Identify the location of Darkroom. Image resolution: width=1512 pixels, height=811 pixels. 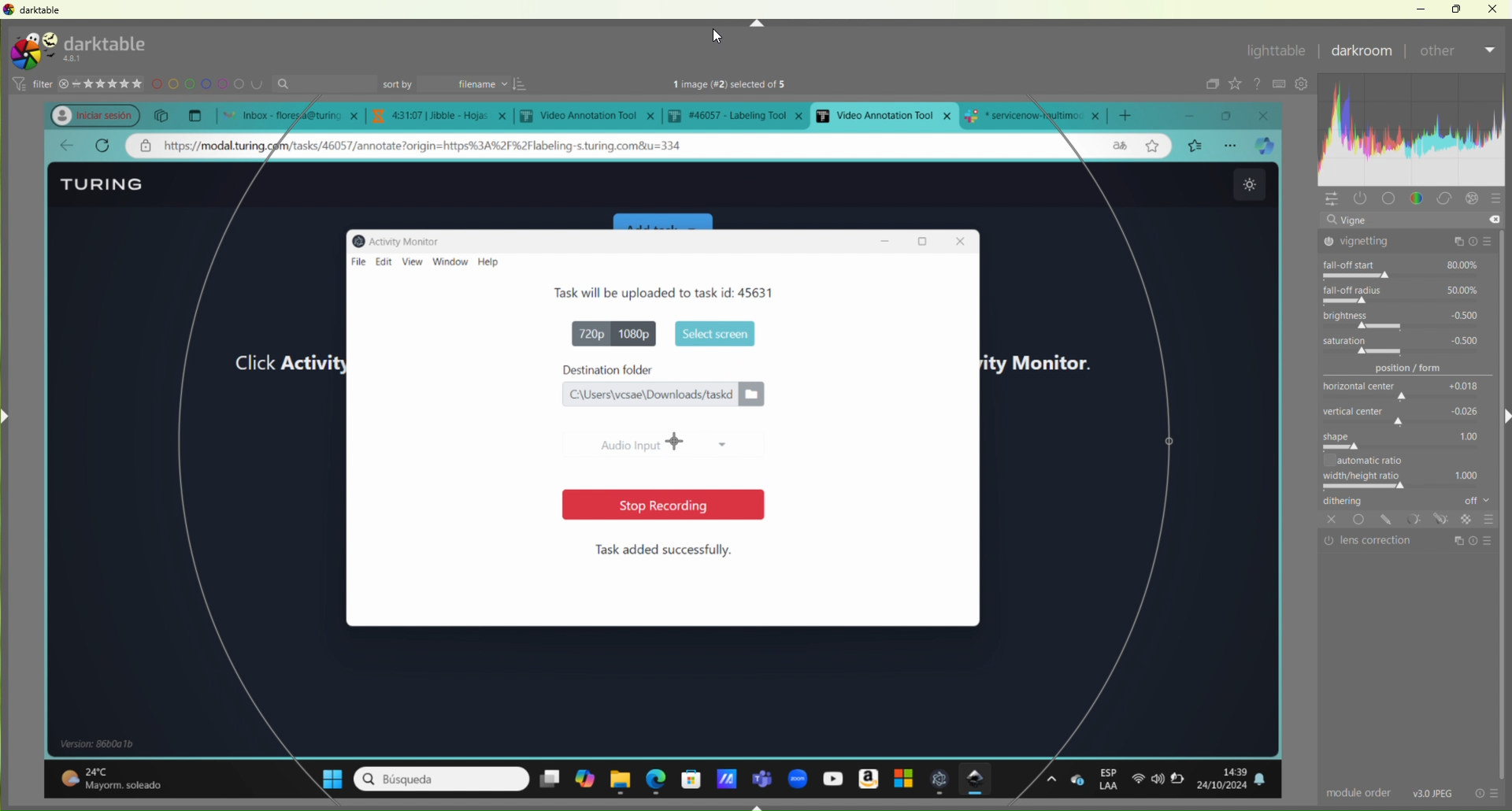
(1359, 51).